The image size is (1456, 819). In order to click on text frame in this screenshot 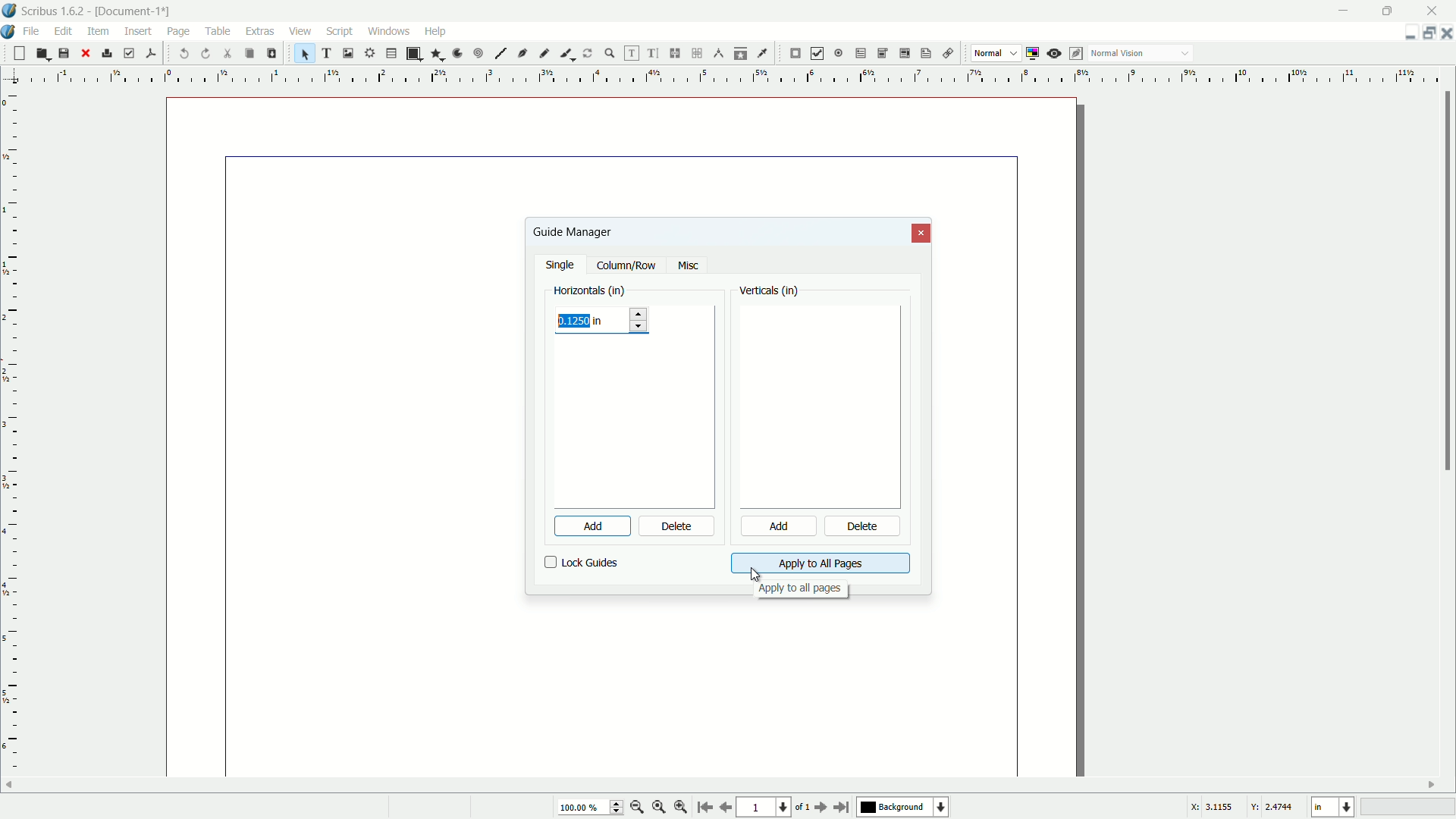, I will do `click(328, 53)`.